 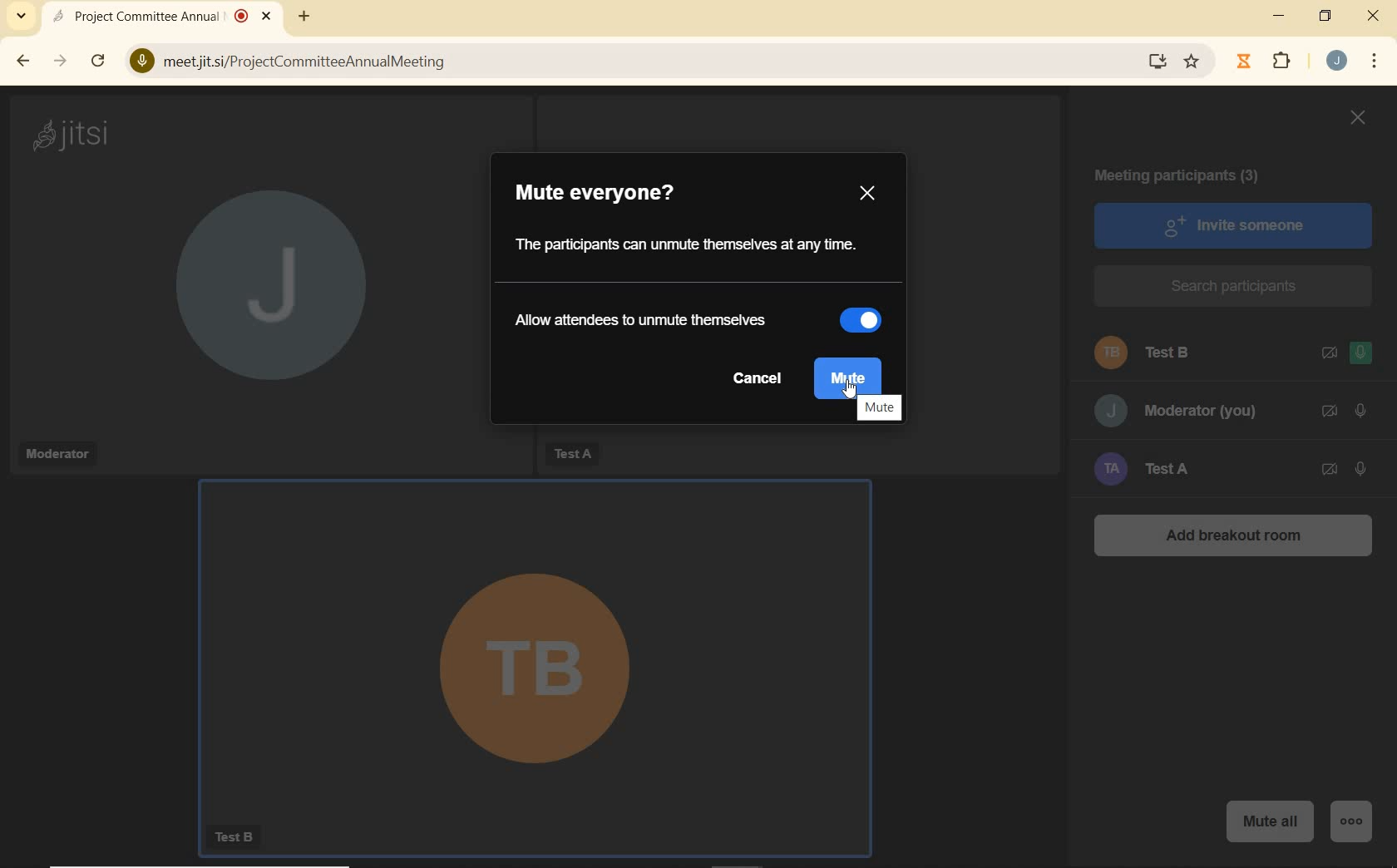 What do you see at coordinates (56, 453) in the screenshot?
I see `Moderator` at bounding box center [56, 453].